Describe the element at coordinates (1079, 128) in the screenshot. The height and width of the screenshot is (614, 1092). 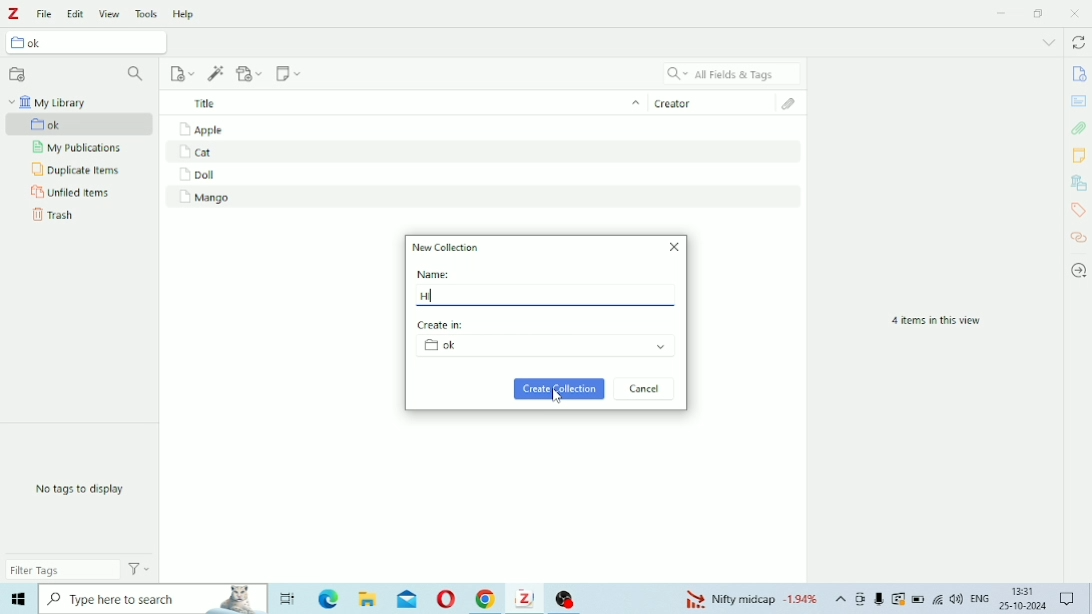
I see `Attachments` at that location.